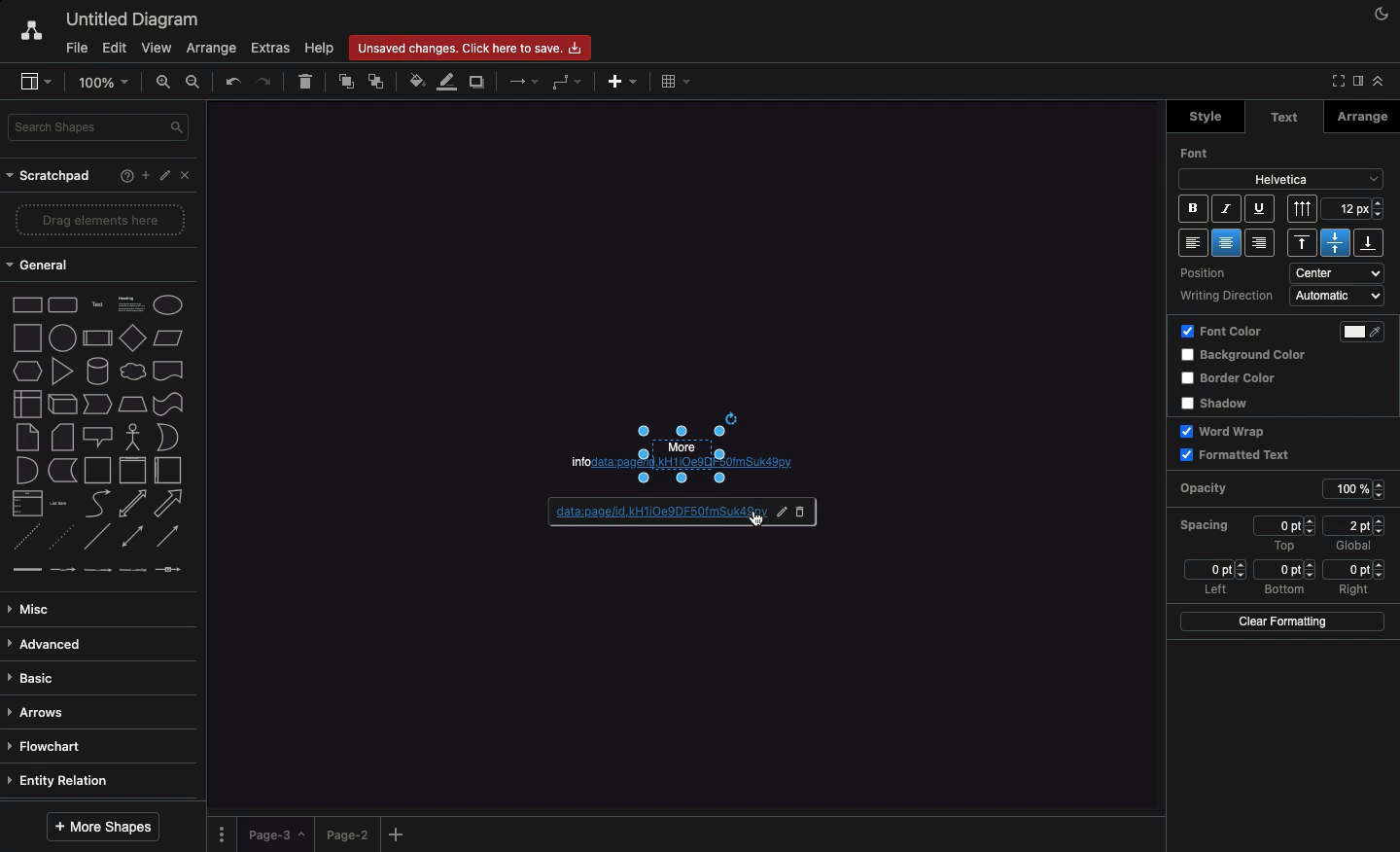 The image size is (1400, 852). I want to click on Font, so click(1200, 153).